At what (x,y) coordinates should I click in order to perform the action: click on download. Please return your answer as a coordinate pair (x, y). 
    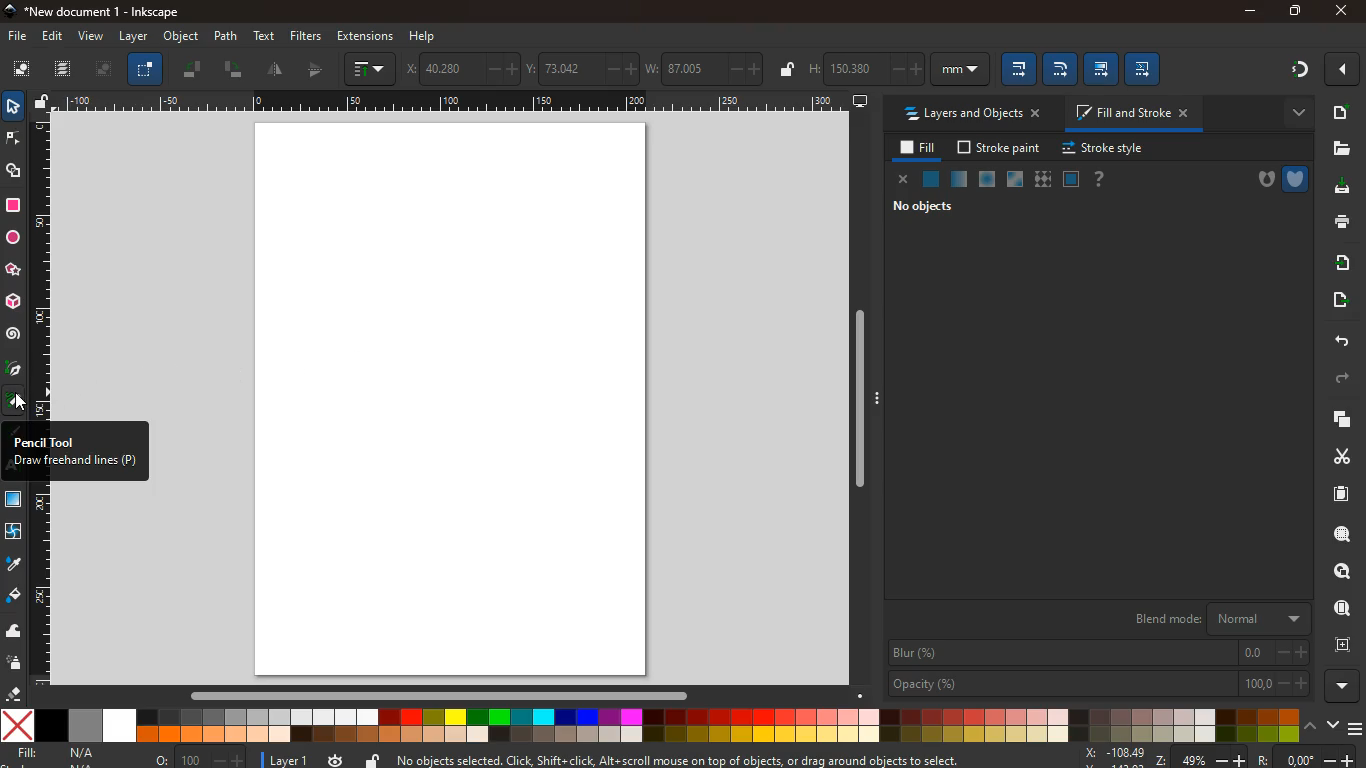
    Looking at the image, I should click on (1339, 189).